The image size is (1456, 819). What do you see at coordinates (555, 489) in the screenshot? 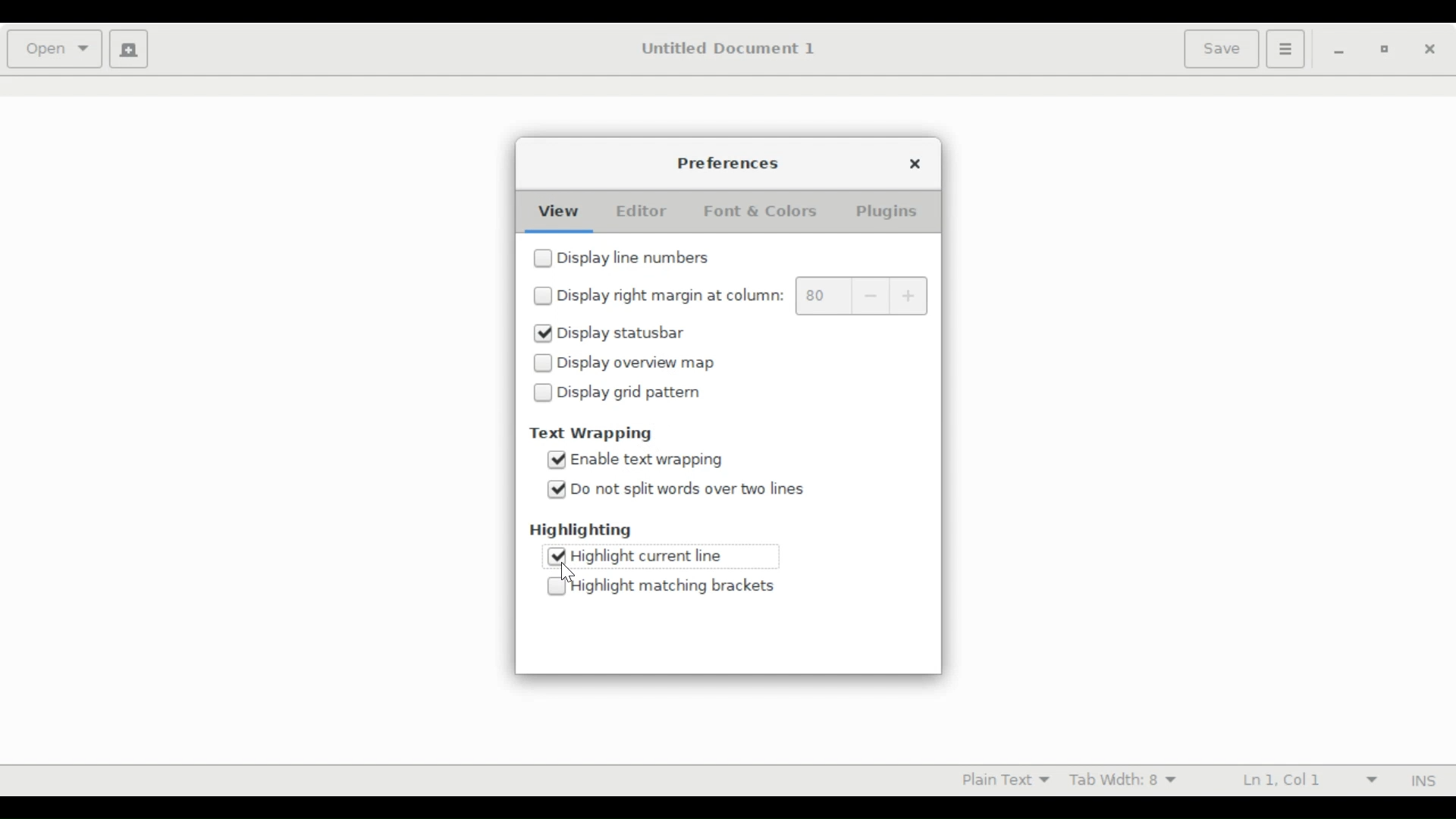
I see `checked checkbox` at bounding box center [555, 489].